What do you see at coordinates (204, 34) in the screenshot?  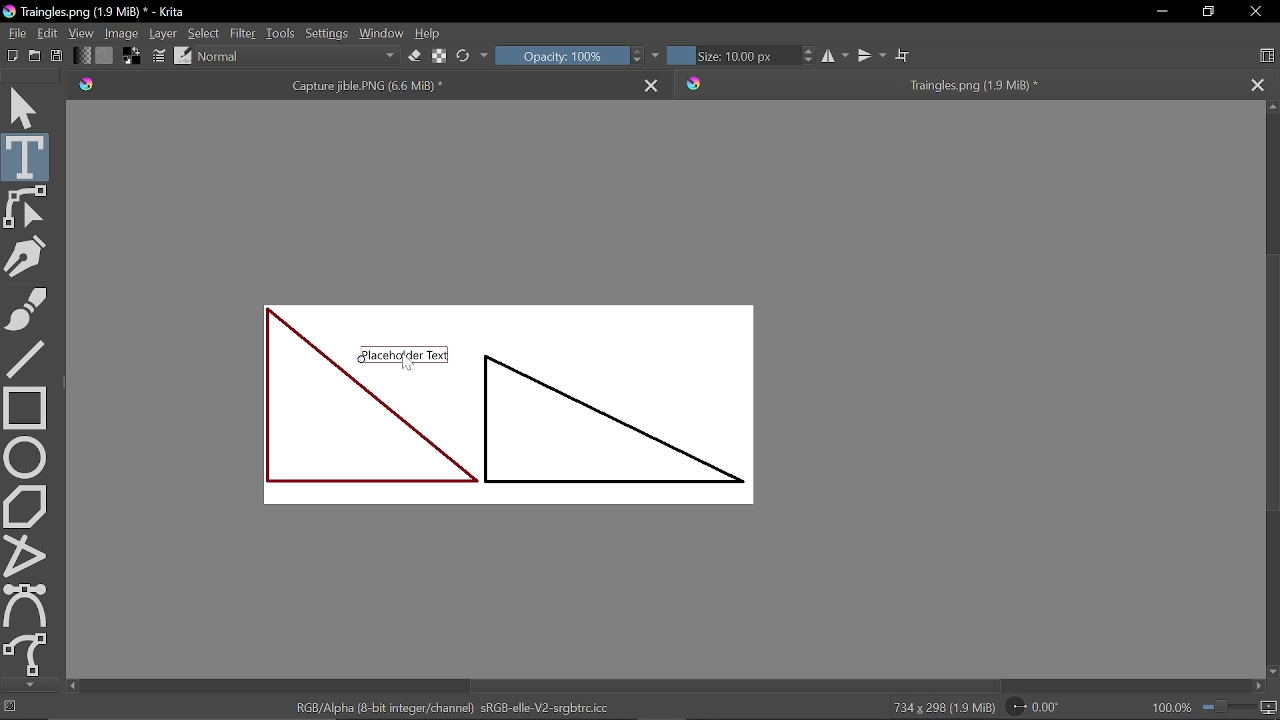 I see `Select` at bounding box center [204, 34].